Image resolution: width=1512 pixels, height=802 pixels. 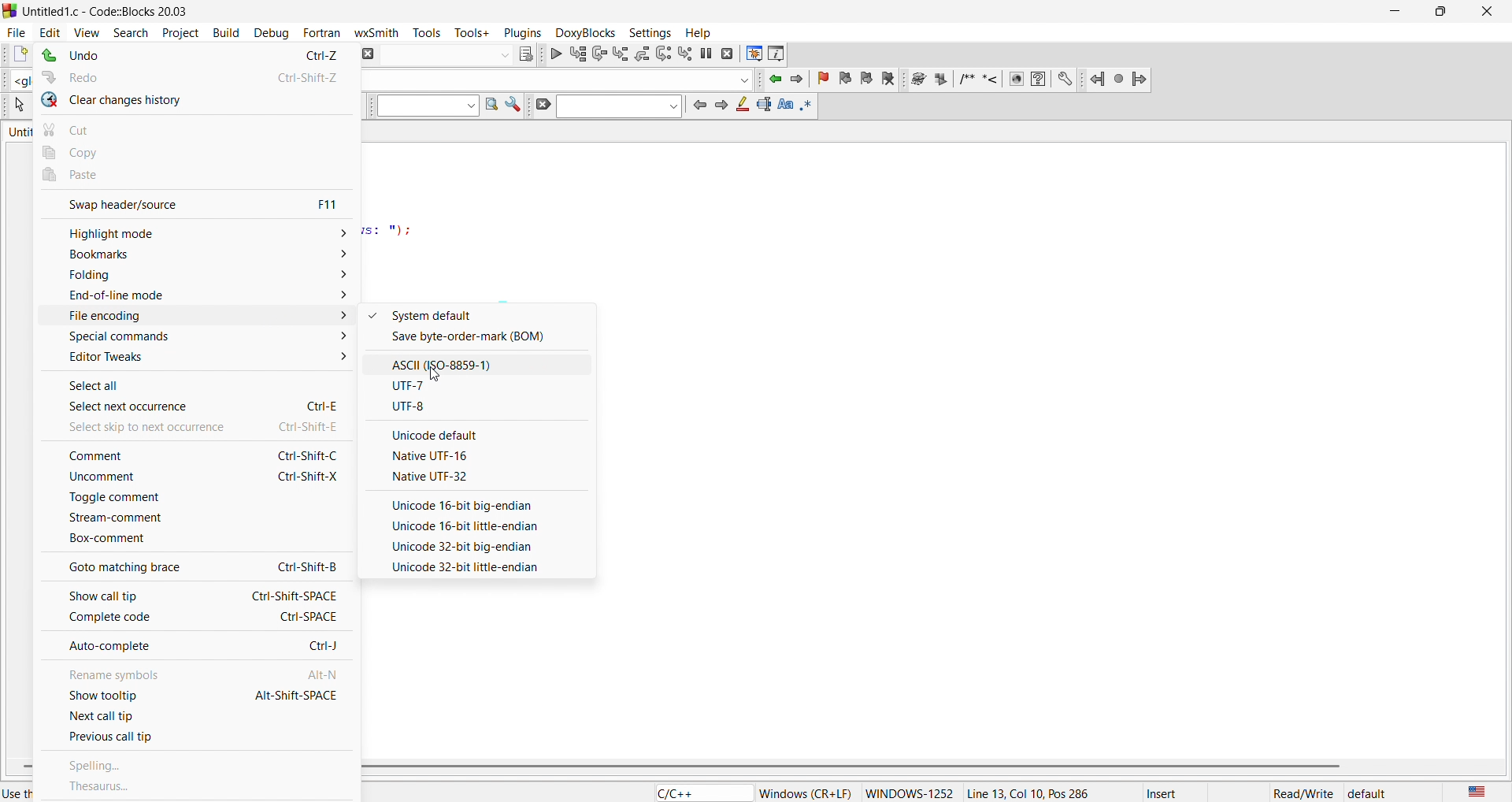 I want to click on swap, so click(x=197, y=202).